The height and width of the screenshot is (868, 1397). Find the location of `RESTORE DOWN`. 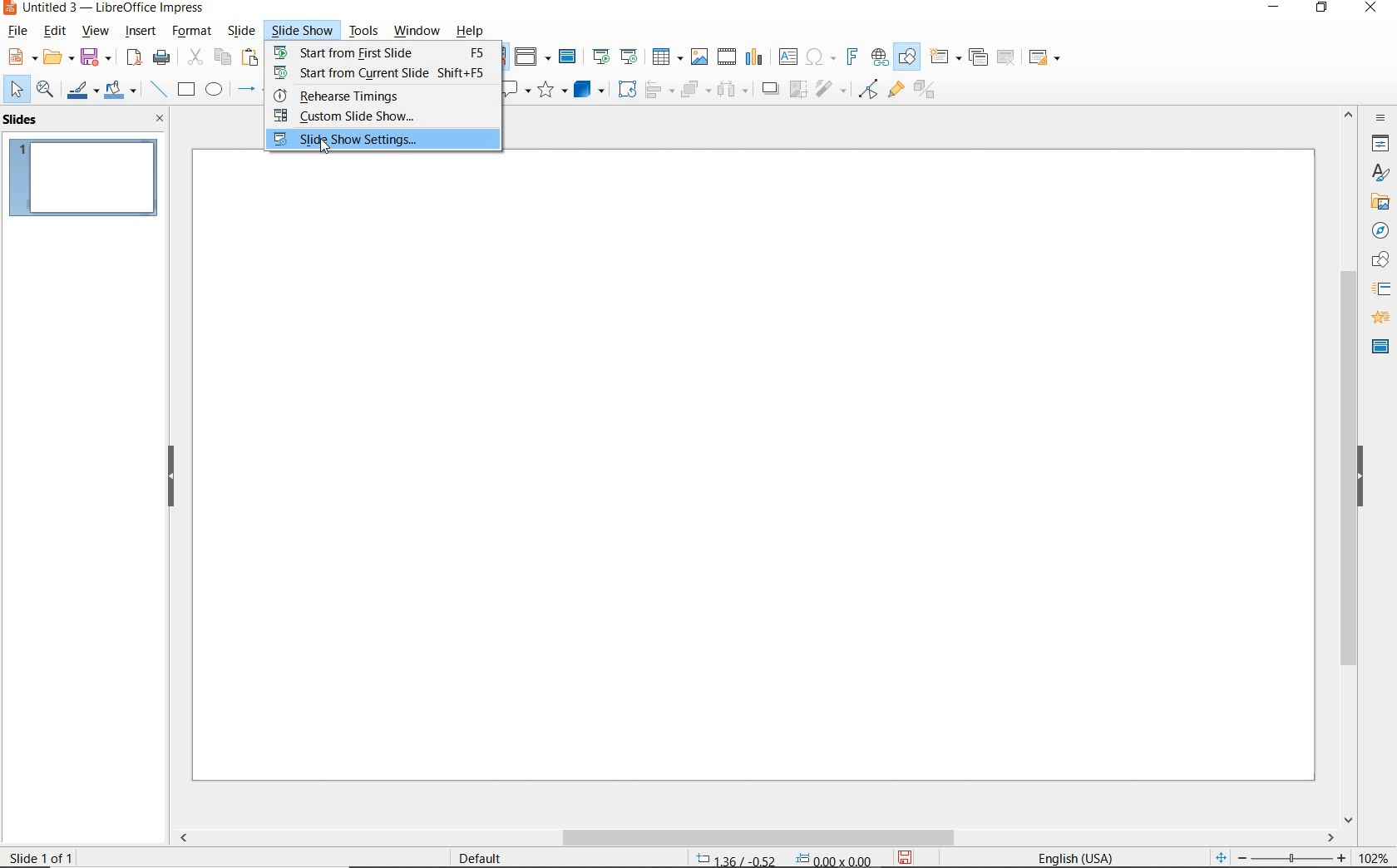

RESTORE DOWN is located at coordinates (1323, 8).